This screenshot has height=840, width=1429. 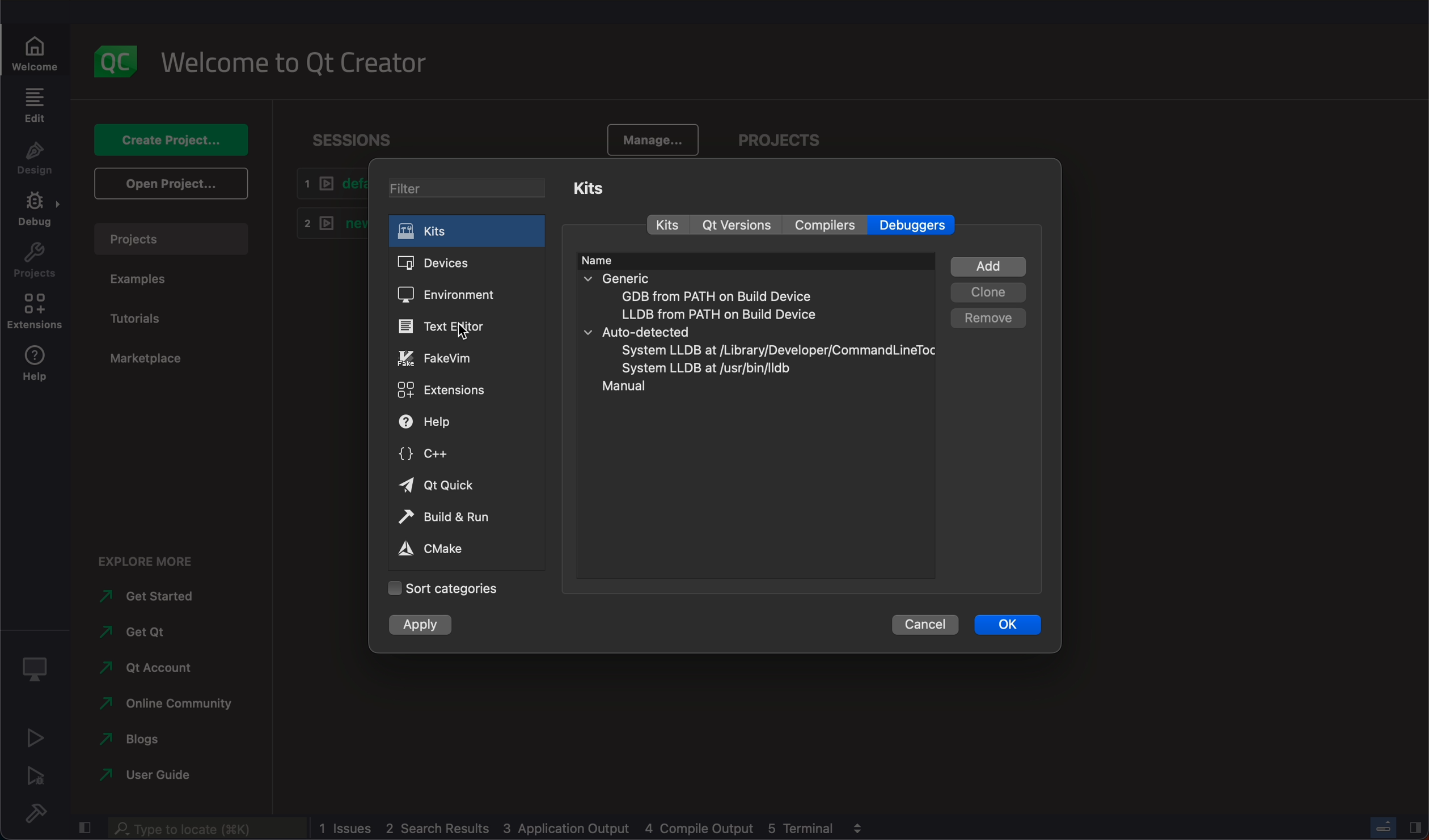 I want to click on close slidebar, so click(x=83, y=830).